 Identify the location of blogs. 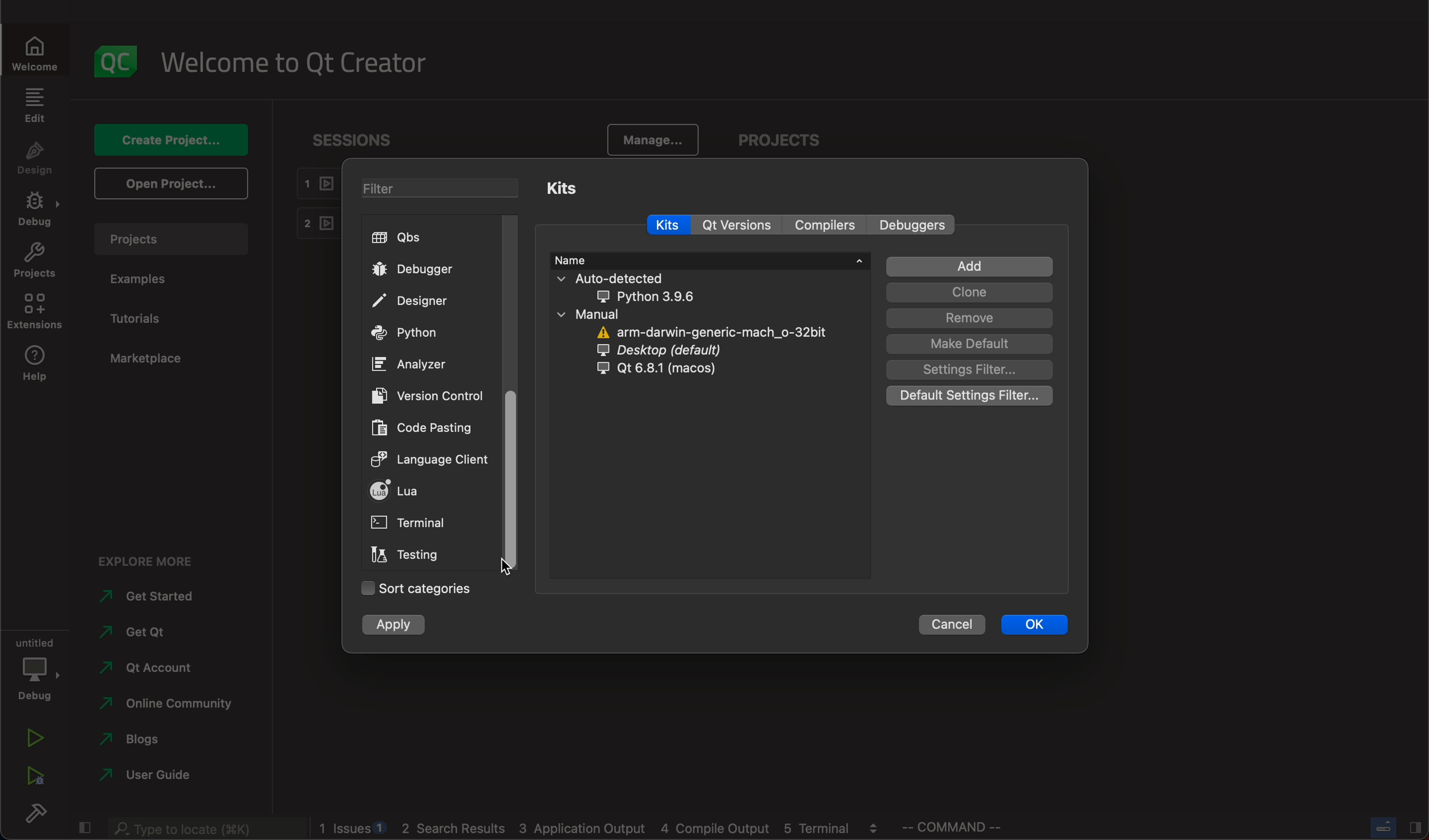
(164, 740).